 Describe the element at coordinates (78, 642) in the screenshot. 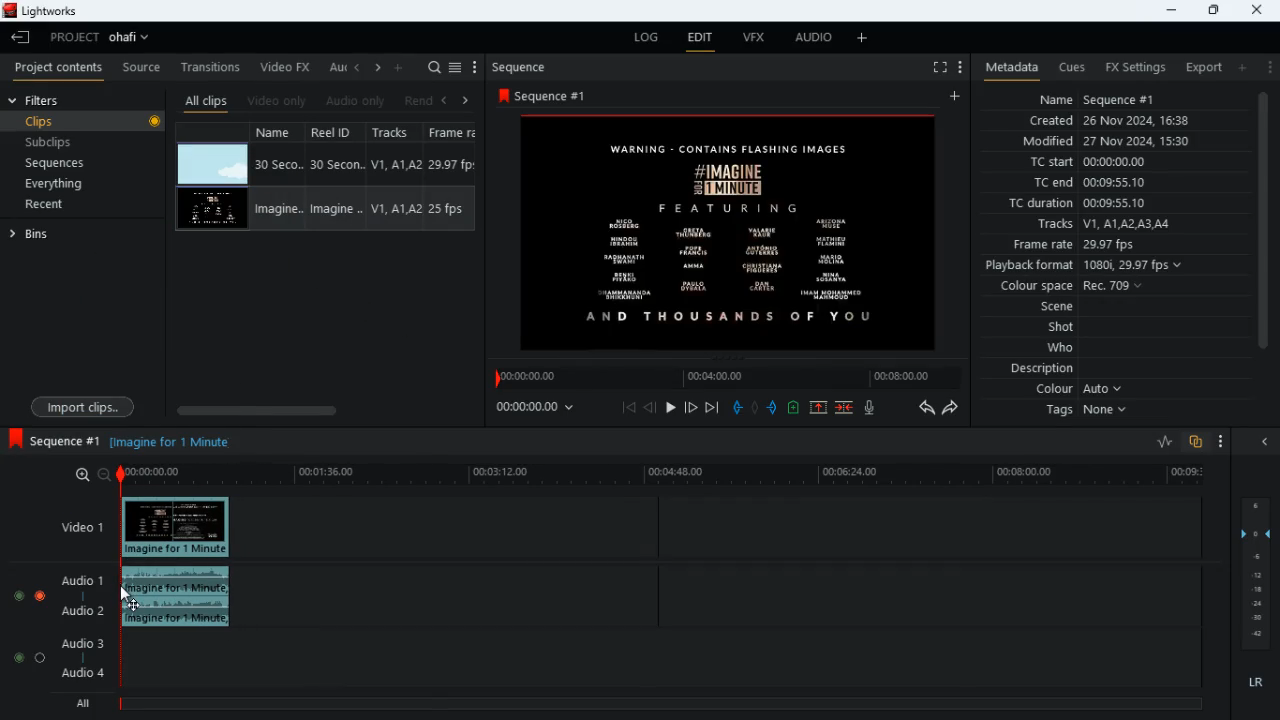

I see `audio 3` at that location.